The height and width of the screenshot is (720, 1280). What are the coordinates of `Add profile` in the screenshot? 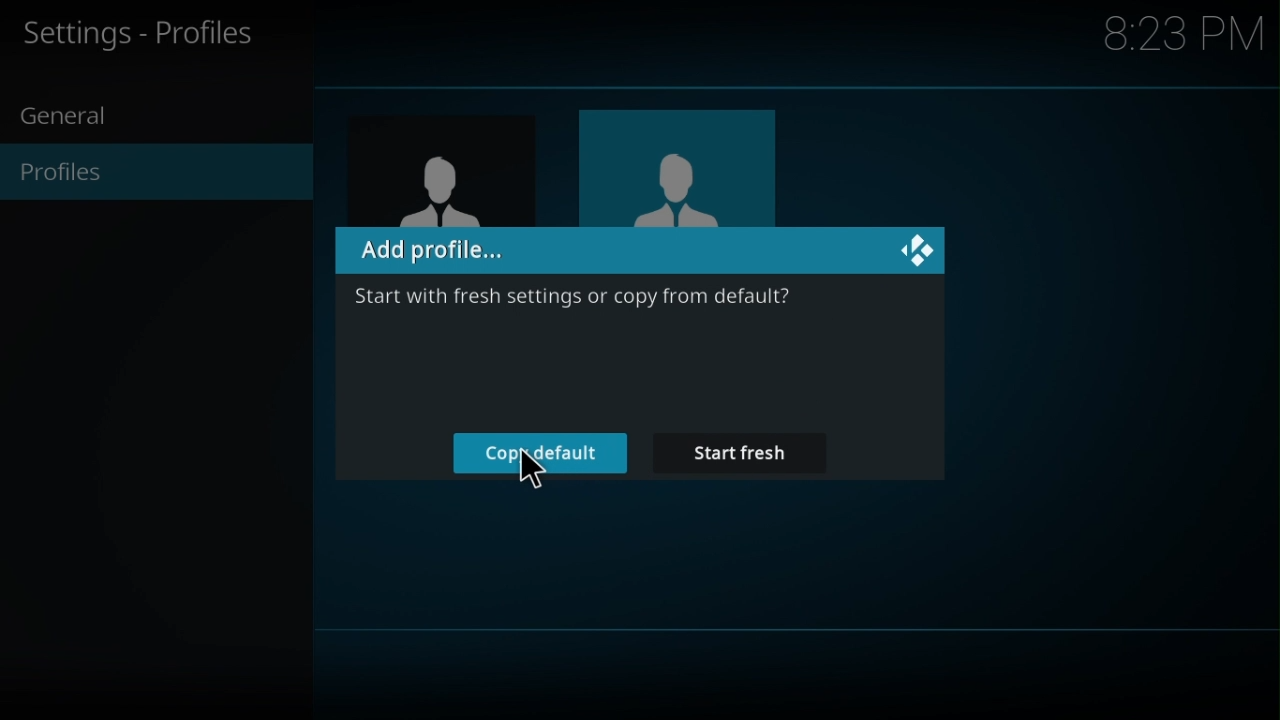 It's located at (444, 251).